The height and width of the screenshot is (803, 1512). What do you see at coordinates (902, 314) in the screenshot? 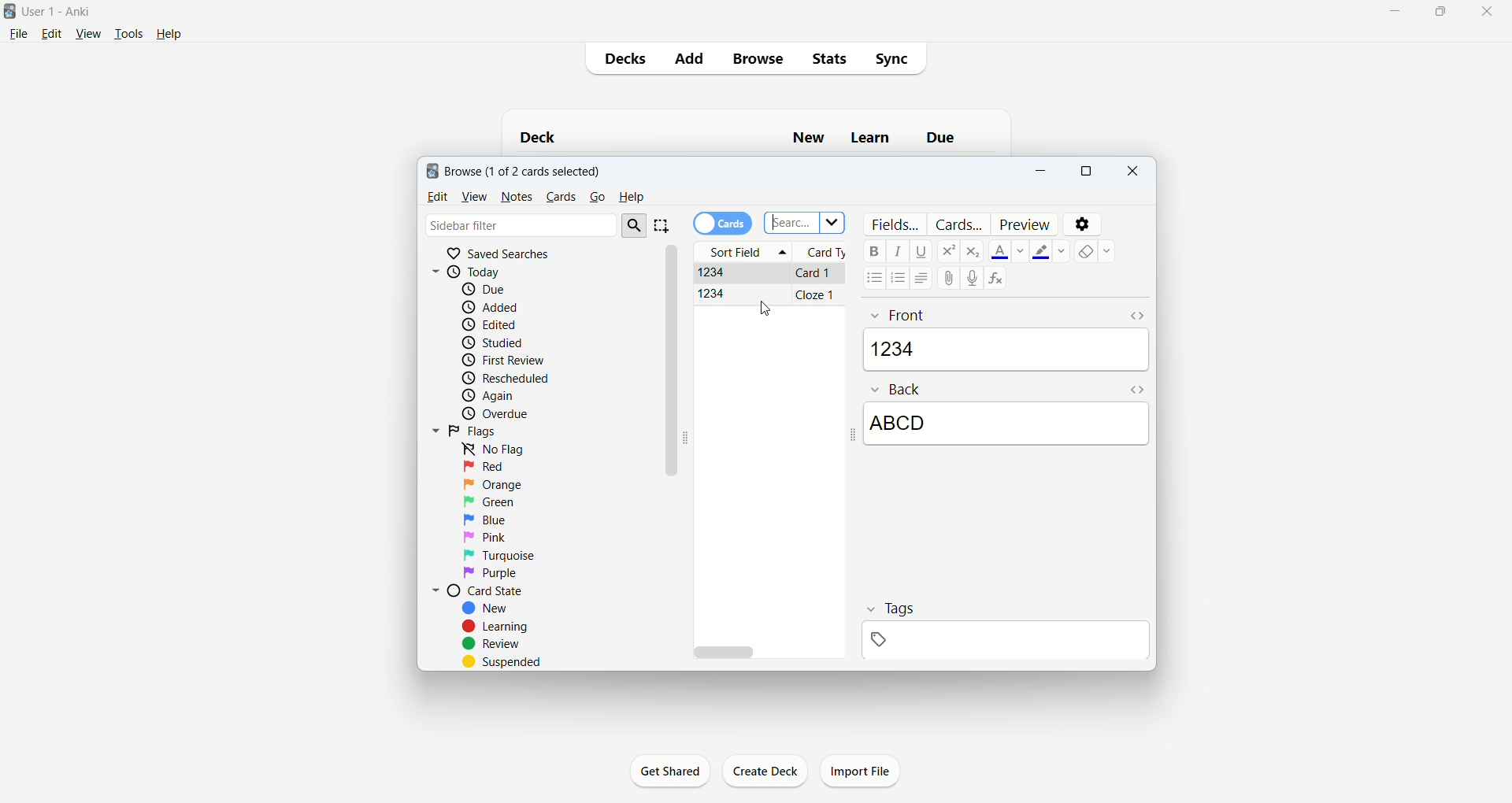
I see `Front` at bounding box center [902, 314].